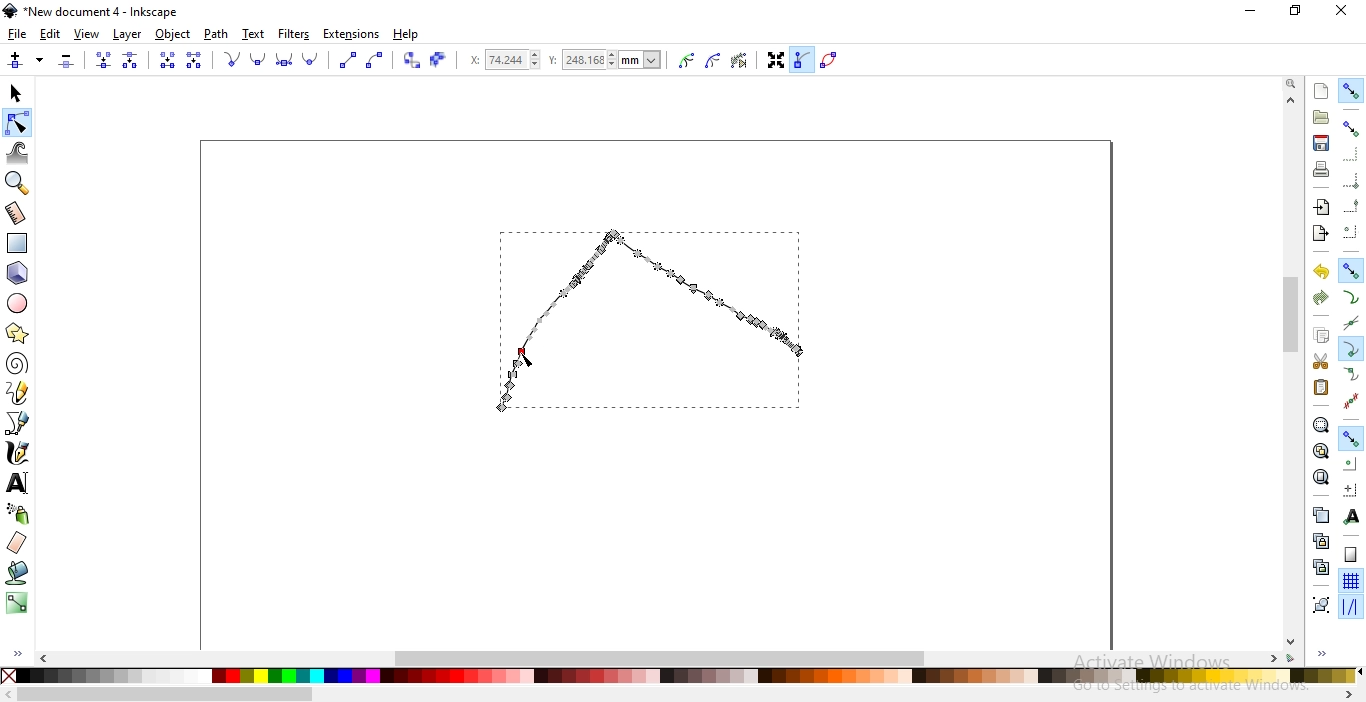 Image resolution: width=1366 pixels, height=702 pixels. What do you see at coordinates (15, 183) in the screenshot?
I see `zoom in or out` at bounding box center [15, 183].